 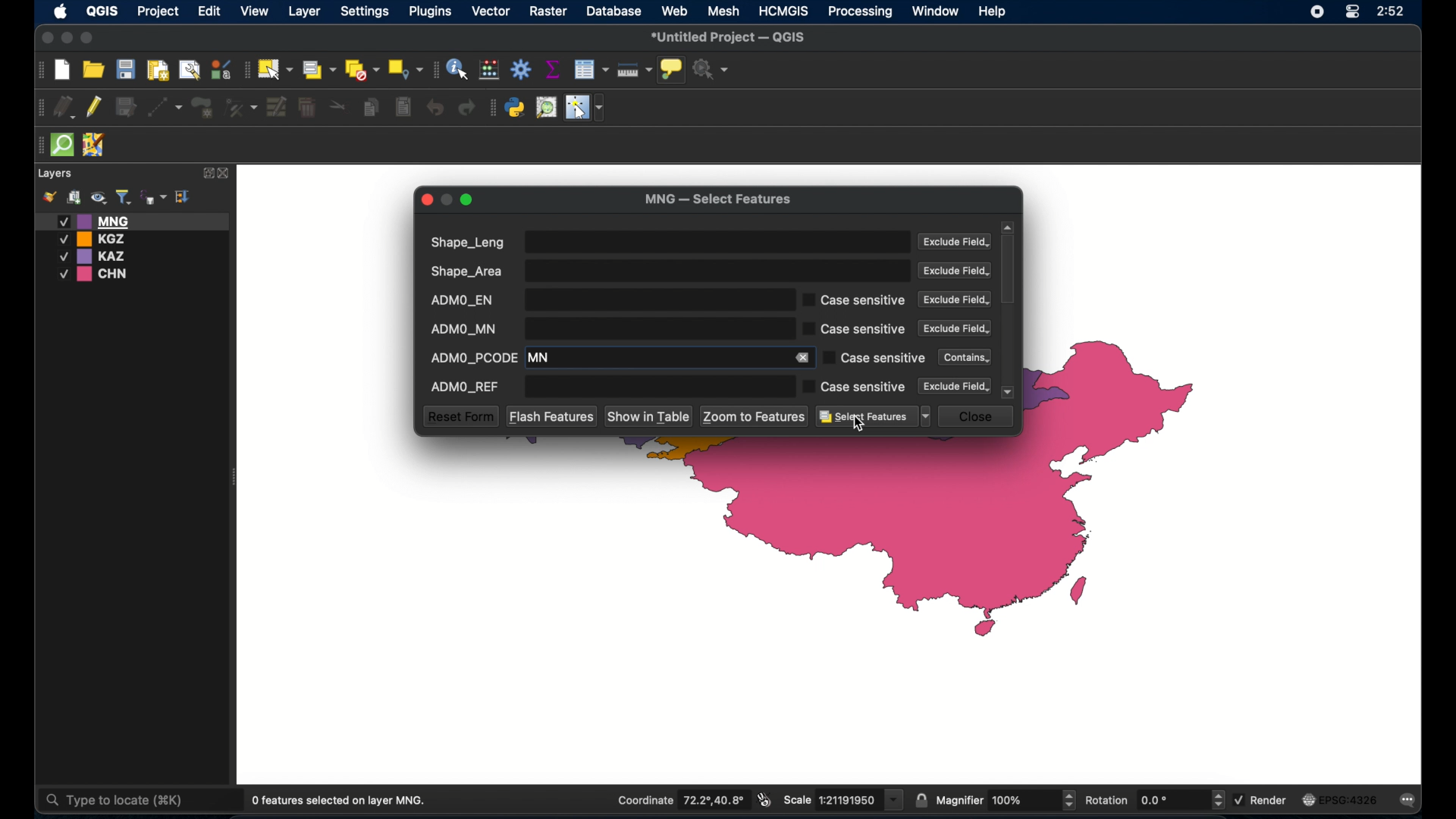 What do you see at coordinates (88, 39) in the screenshot?
I see `maximize` at bounding box center [88, 39].